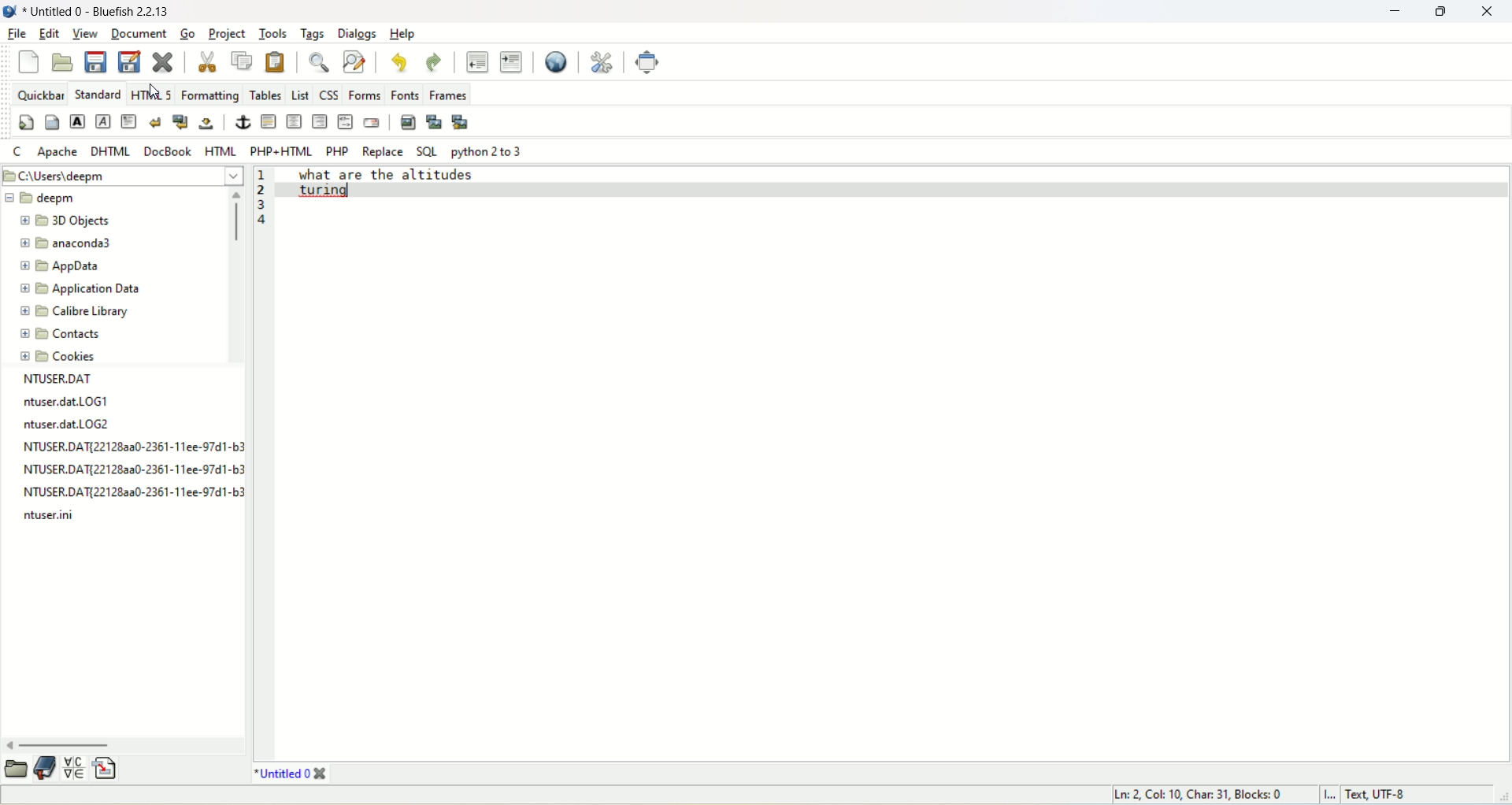 The height and width of the screenshot is (805, 1512). What do you see at coordinates (212, 95) in the screenshot?
I see `formatting` at bounding box center [212, 95].